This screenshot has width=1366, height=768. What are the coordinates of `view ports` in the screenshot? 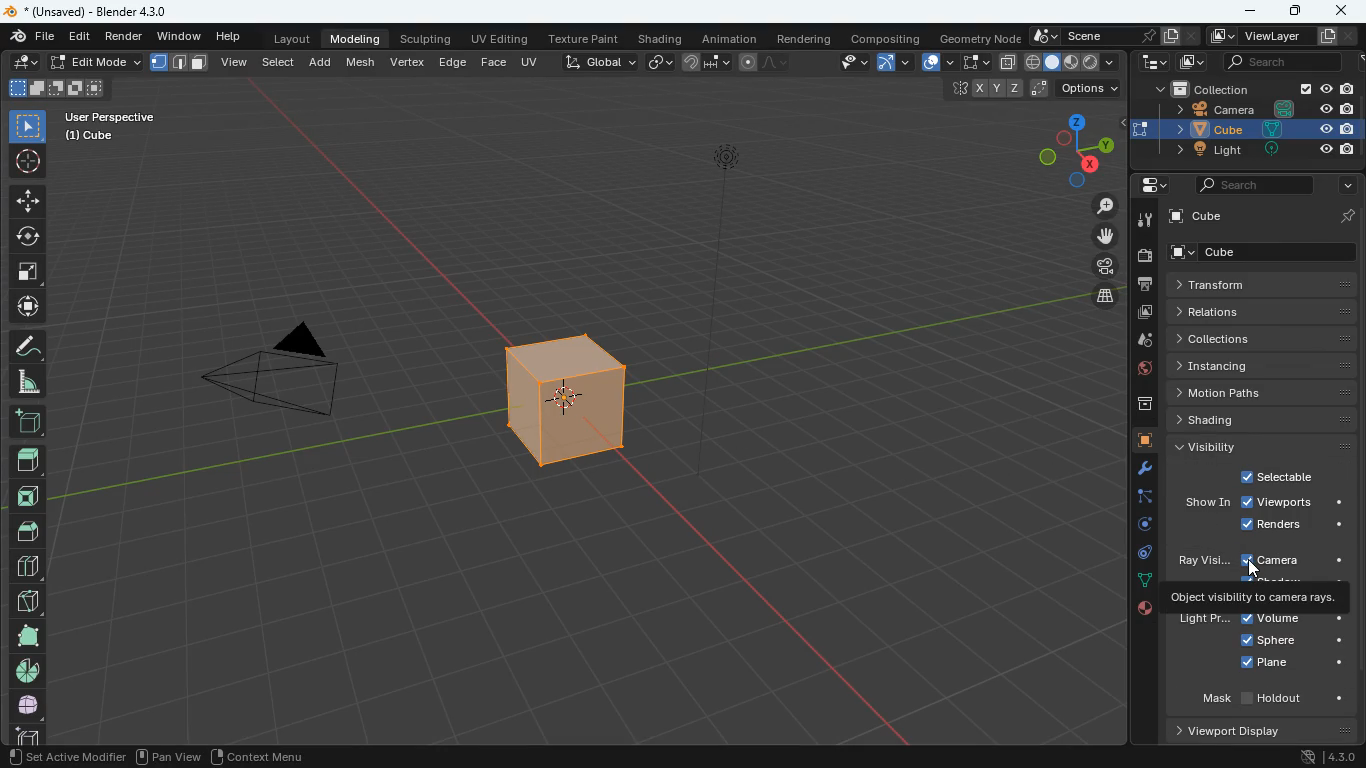 It's located at (1291, 504).